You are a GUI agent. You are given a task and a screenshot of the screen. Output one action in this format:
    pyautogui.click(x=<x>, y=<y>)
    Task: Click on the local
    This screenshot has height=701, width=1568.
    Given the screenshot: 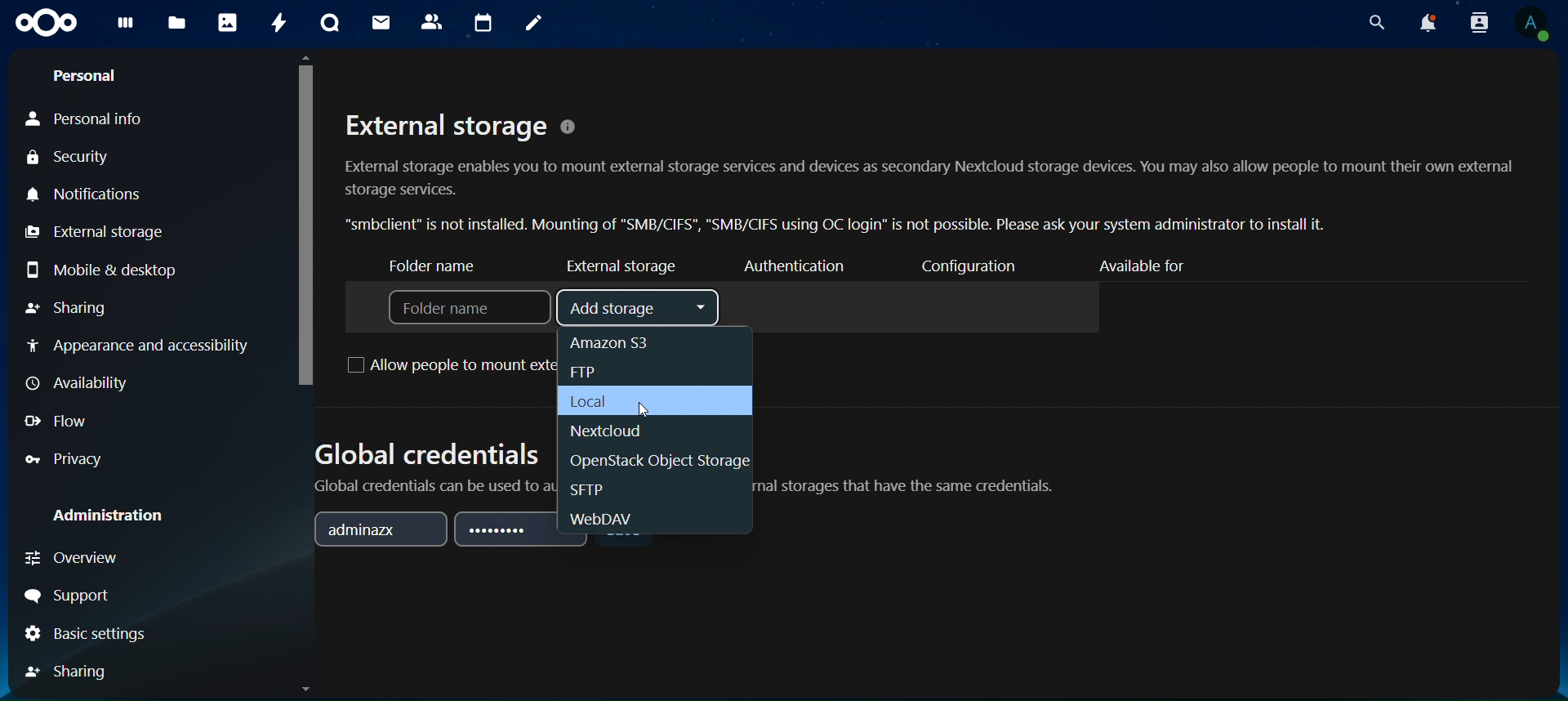 What is the action you would take?
    pyautogui.click(x=608, y=402)
    